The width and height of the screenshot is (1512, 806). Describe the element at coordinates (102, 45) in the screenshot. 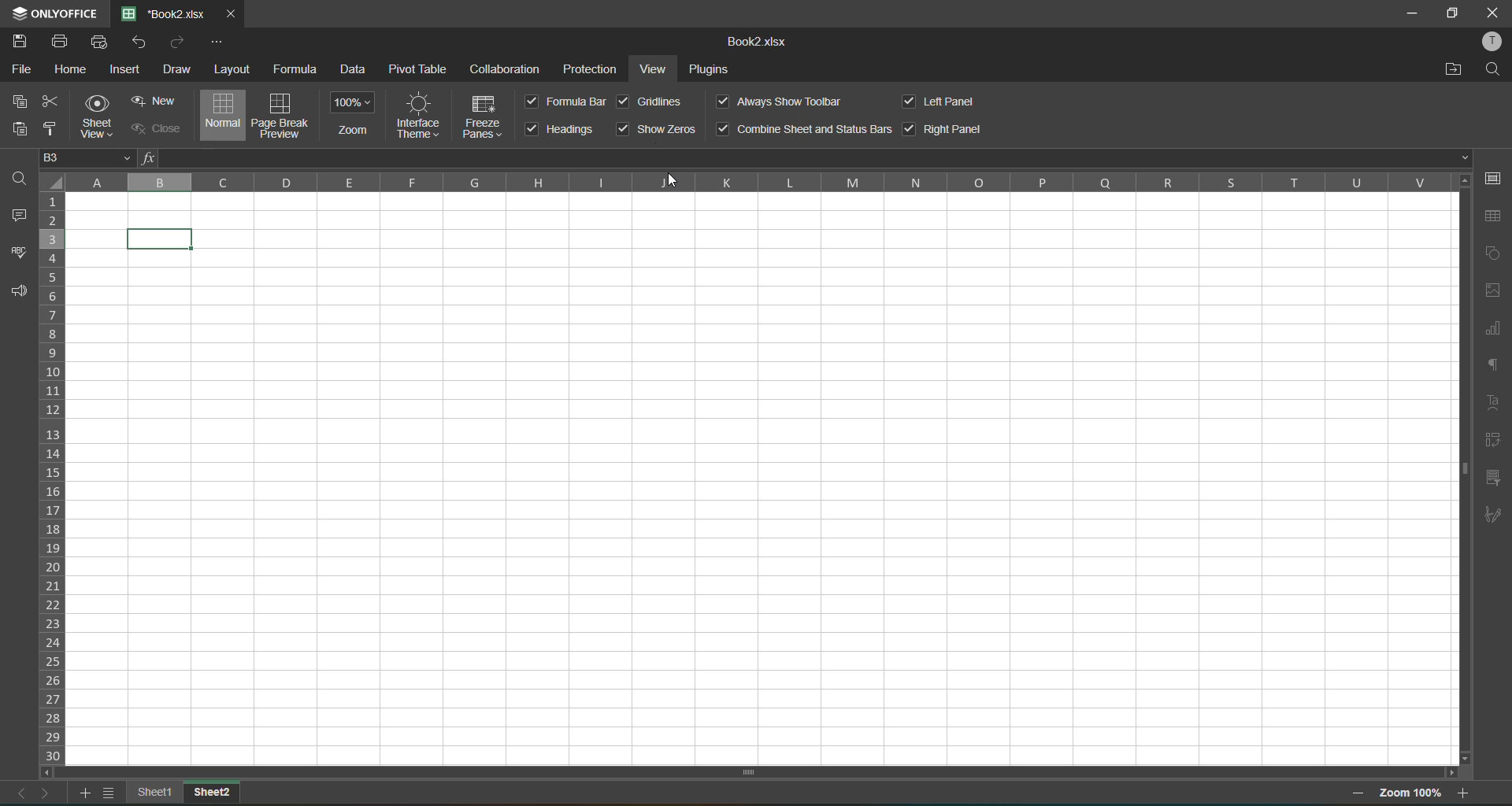

I see `quick print` at that location.